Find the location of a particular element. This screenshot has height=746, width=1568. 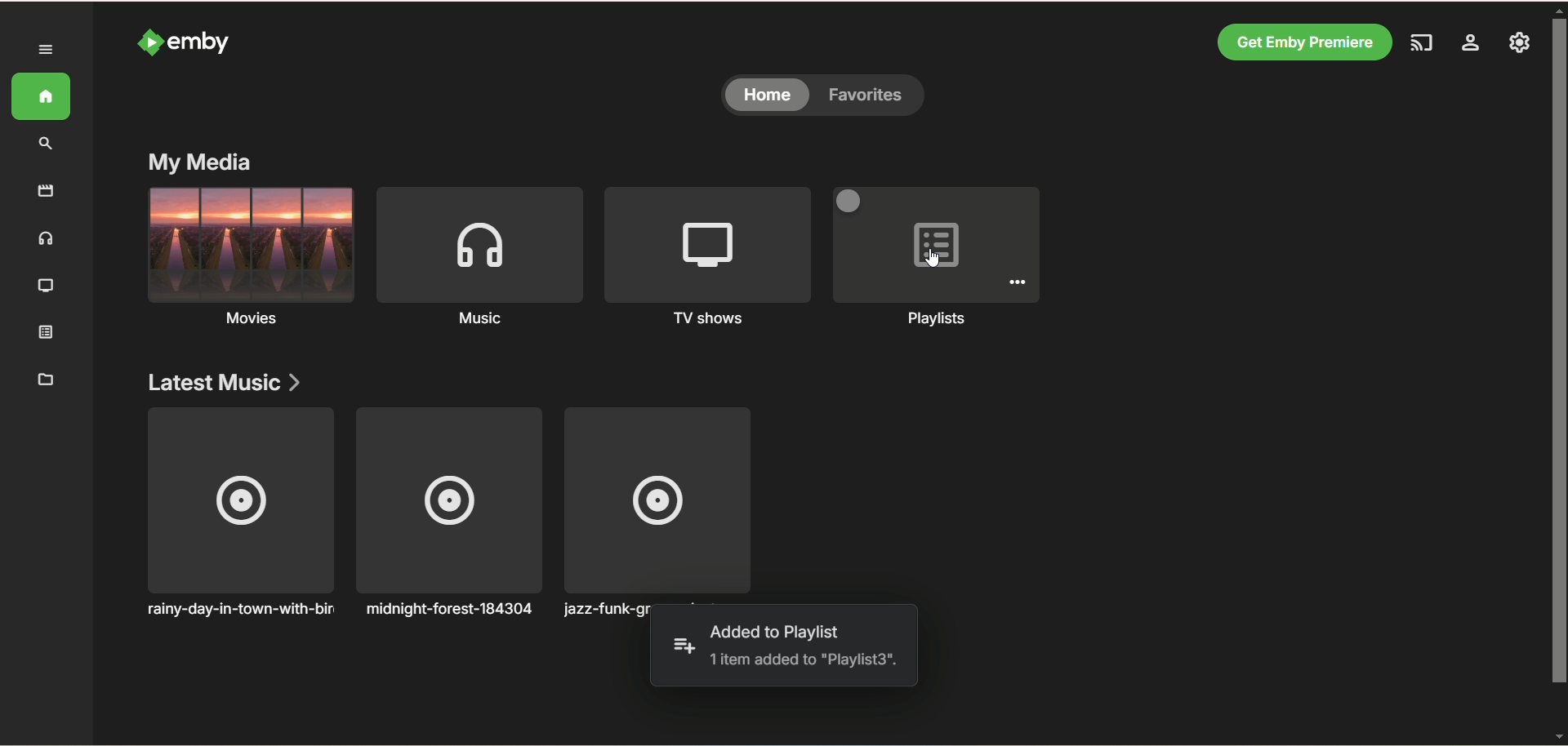

emby is located at coordinates (200, 42).